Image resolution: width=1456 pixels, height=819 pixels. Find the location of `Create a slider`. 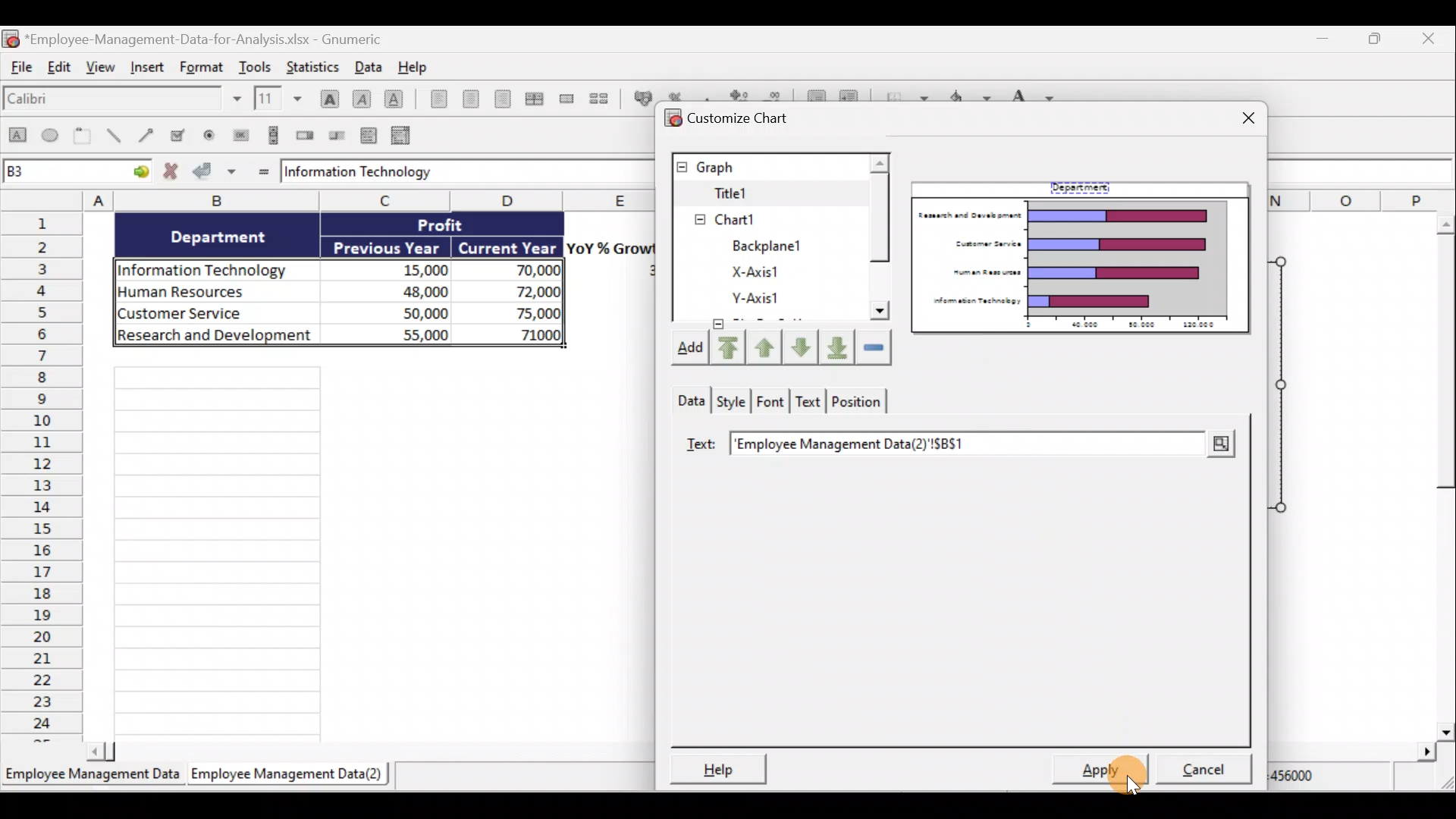

Create a slider is located at coordinates (335, 136).